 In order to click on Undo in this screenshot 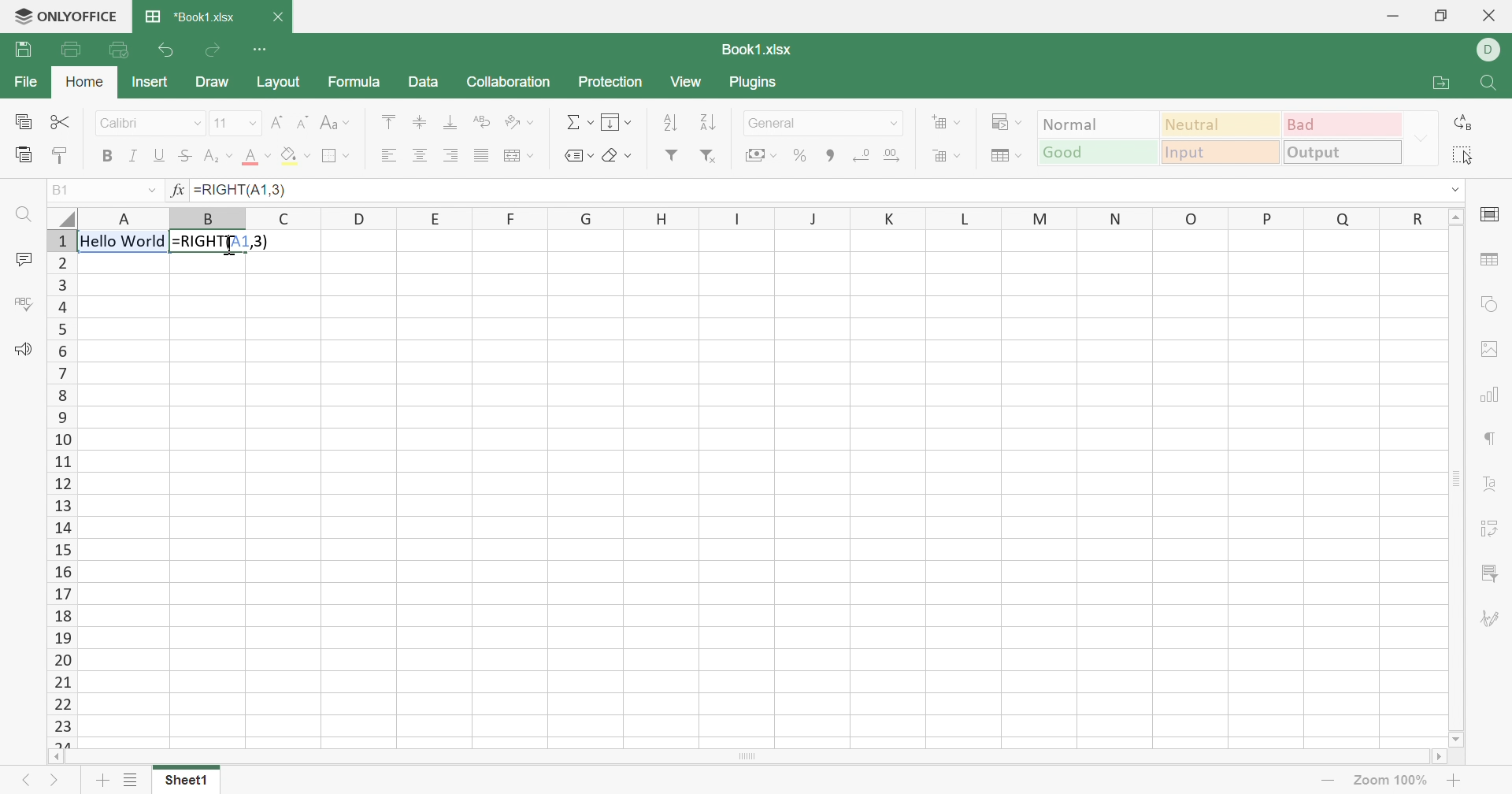, I will do `click(170, 52)`.